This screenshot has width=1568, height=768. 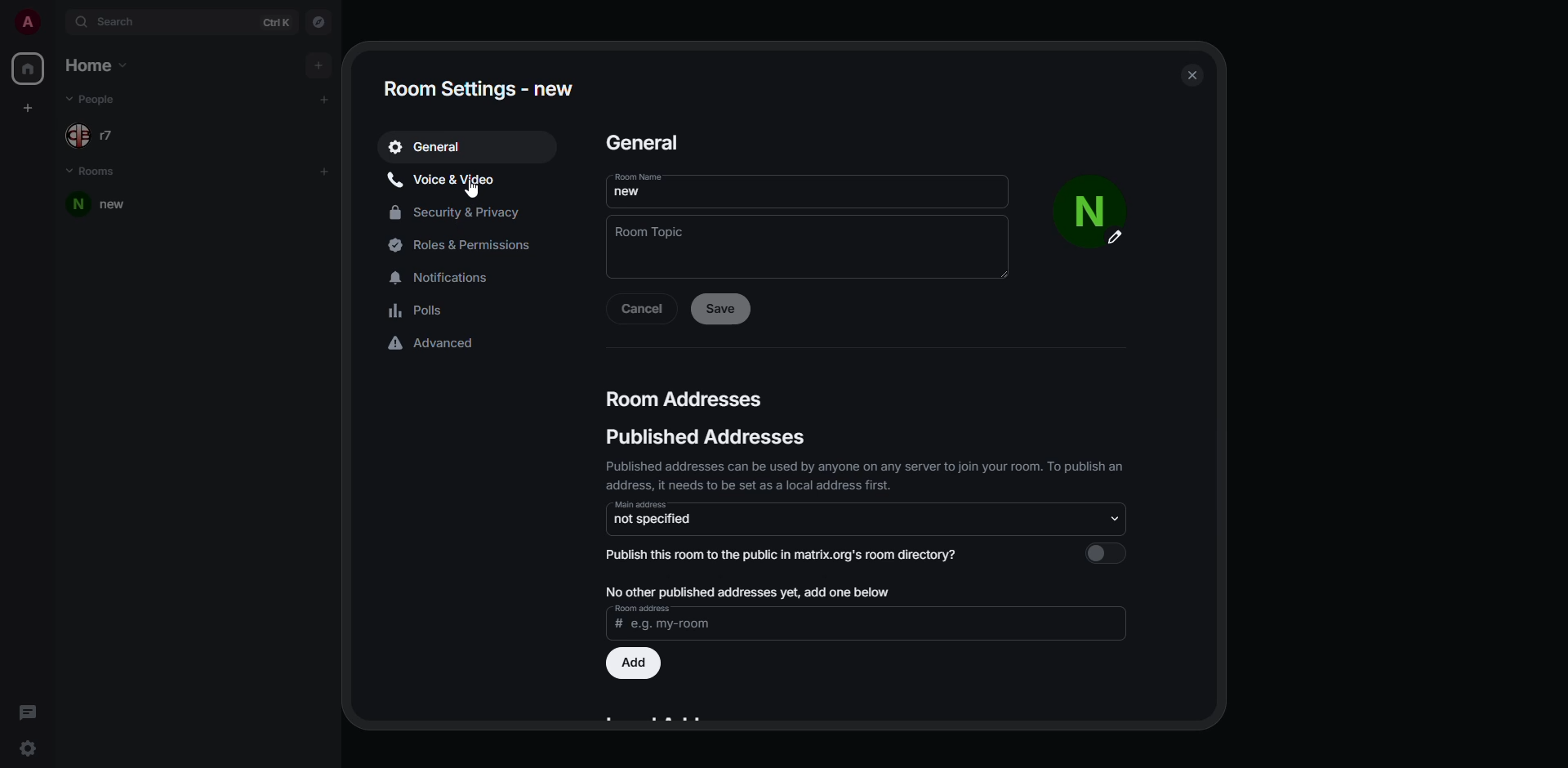 What do you see at coordinates (863, 458) in the screenshot?
I see `published addresses publish addressess can be used by anyone on any server to join your room. To publish an address, it needs to be set as a location first.` at bounding box center [863, 458].